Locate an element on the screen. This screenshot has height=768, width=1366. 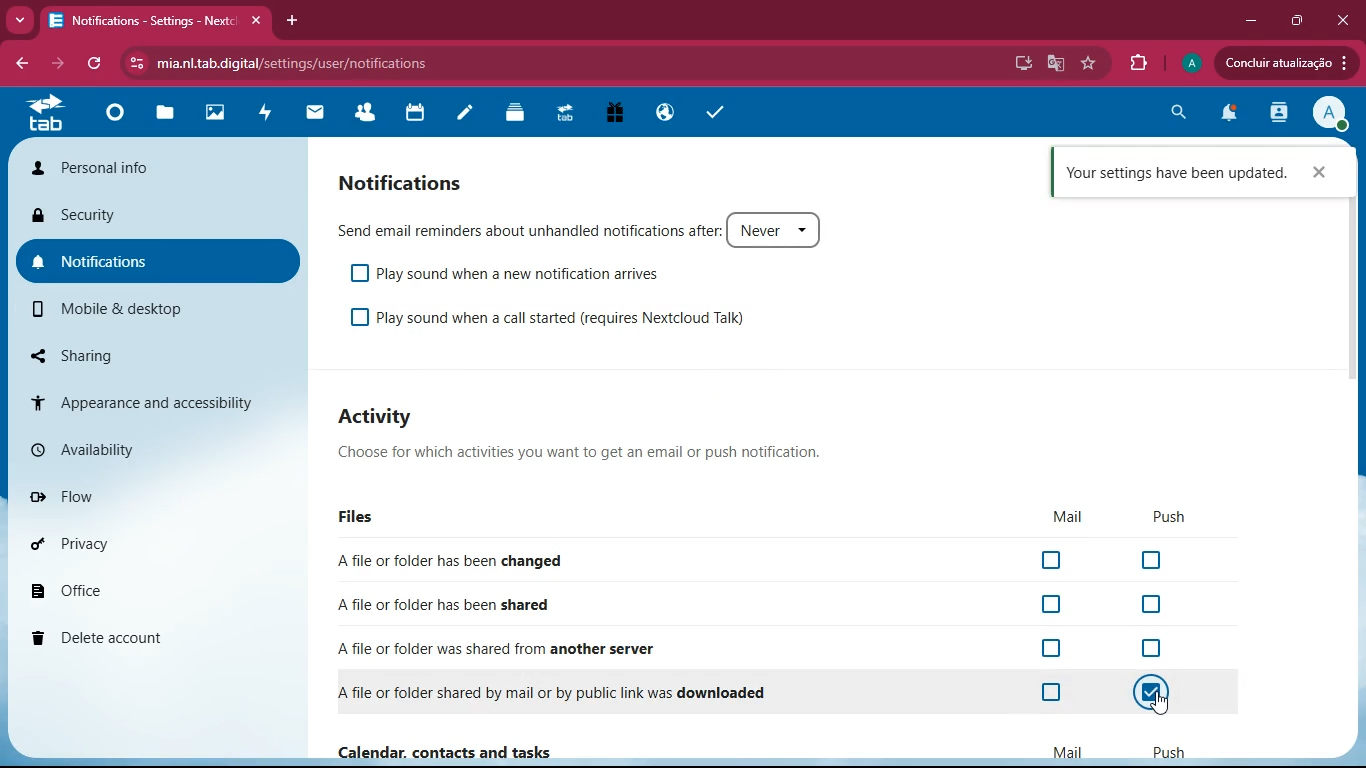
notifications is located at coordinates (422, 185).